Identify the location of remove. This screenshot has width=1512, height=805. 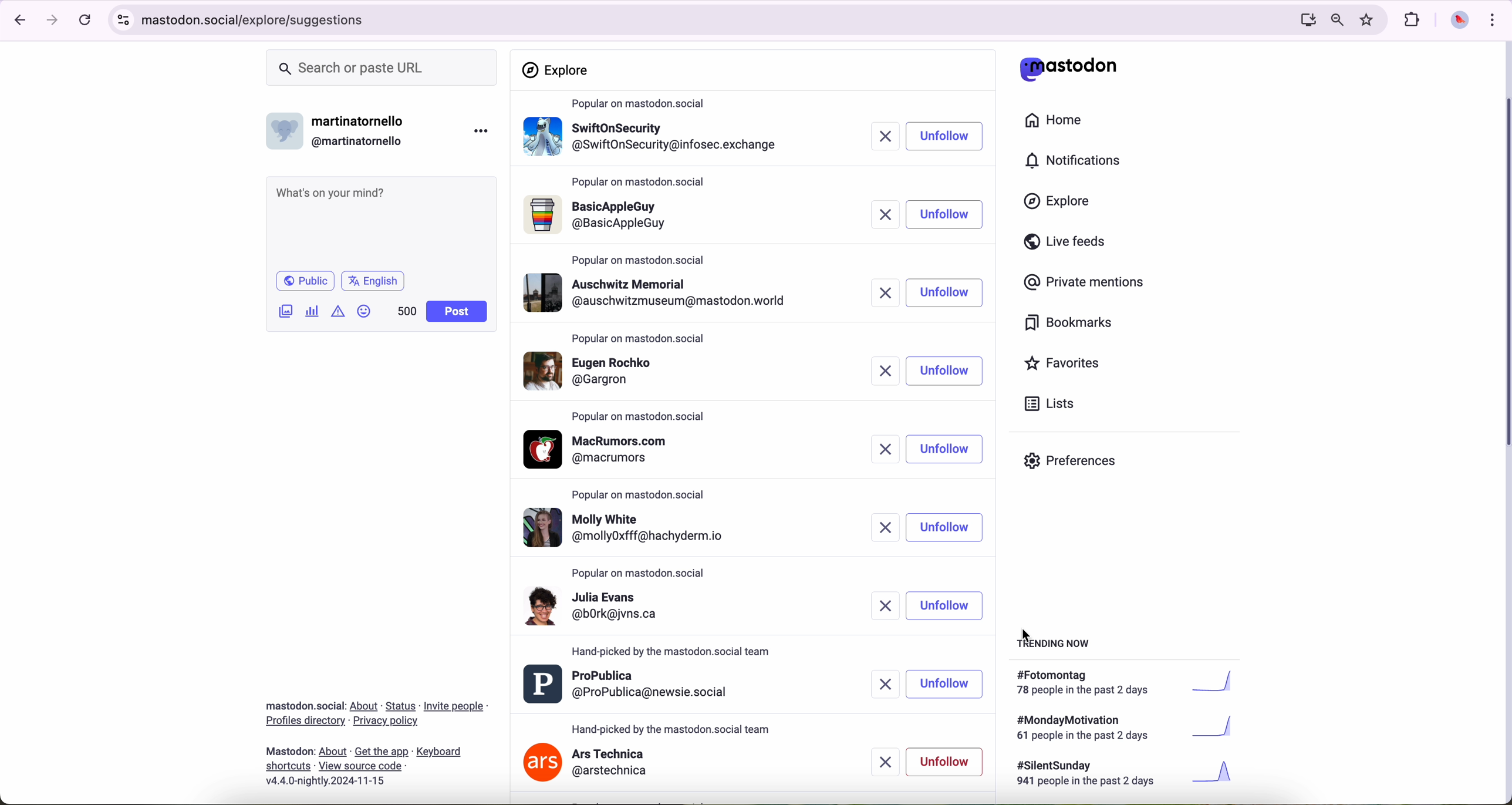
(880, 372).